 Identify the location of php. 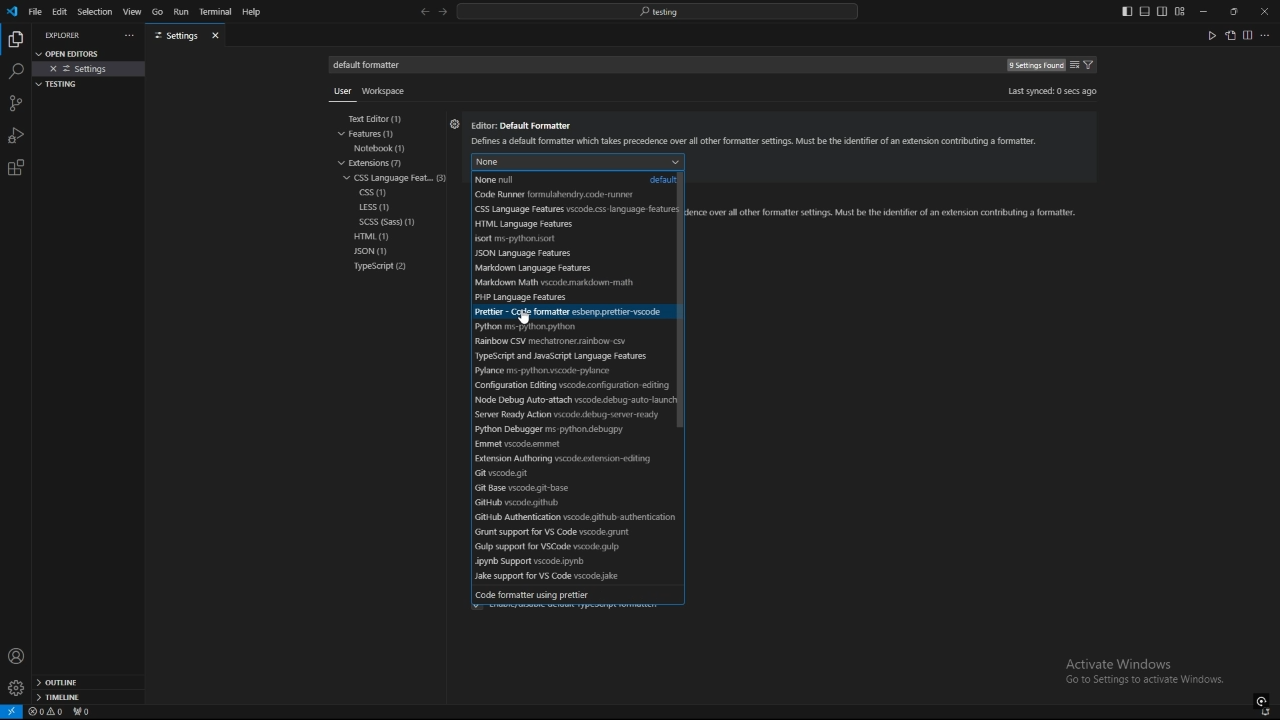
(555, 297).